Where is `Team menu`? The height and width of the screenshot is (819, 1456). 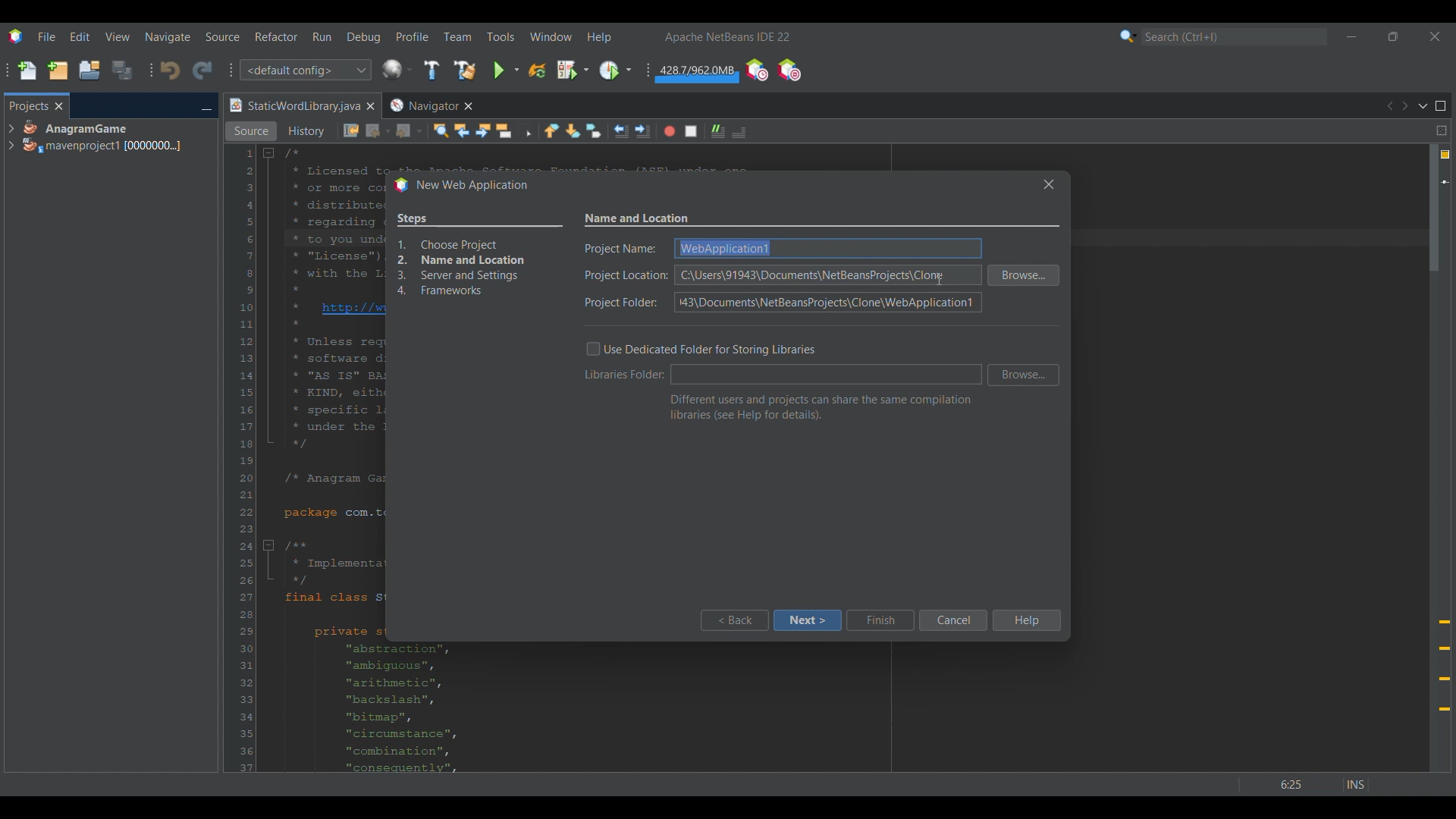
Team menu is located at coordinates (457, 36).